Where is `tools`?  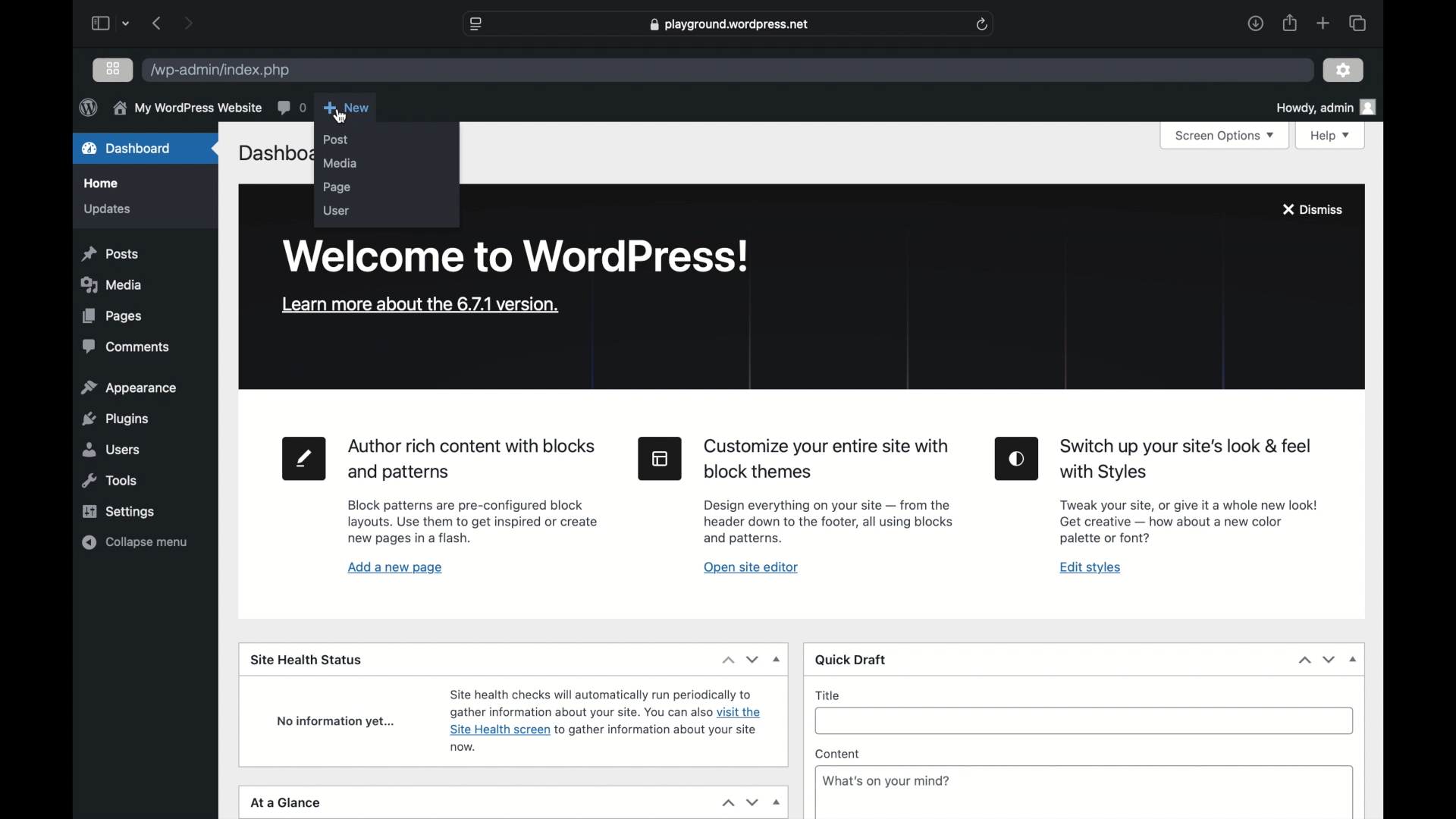
tools is located at coordinates (111, 481).